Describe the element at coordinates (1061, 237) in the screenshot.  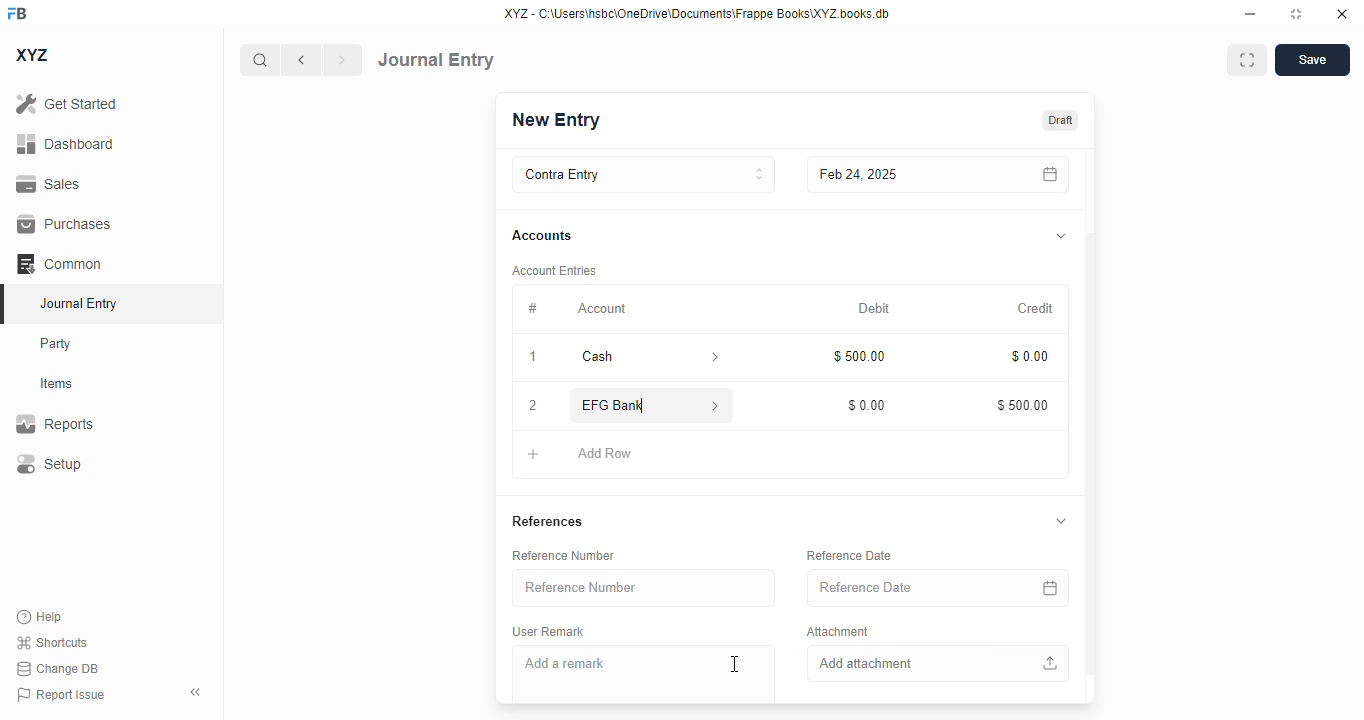
I see `toggle expand/collapse` at that location.